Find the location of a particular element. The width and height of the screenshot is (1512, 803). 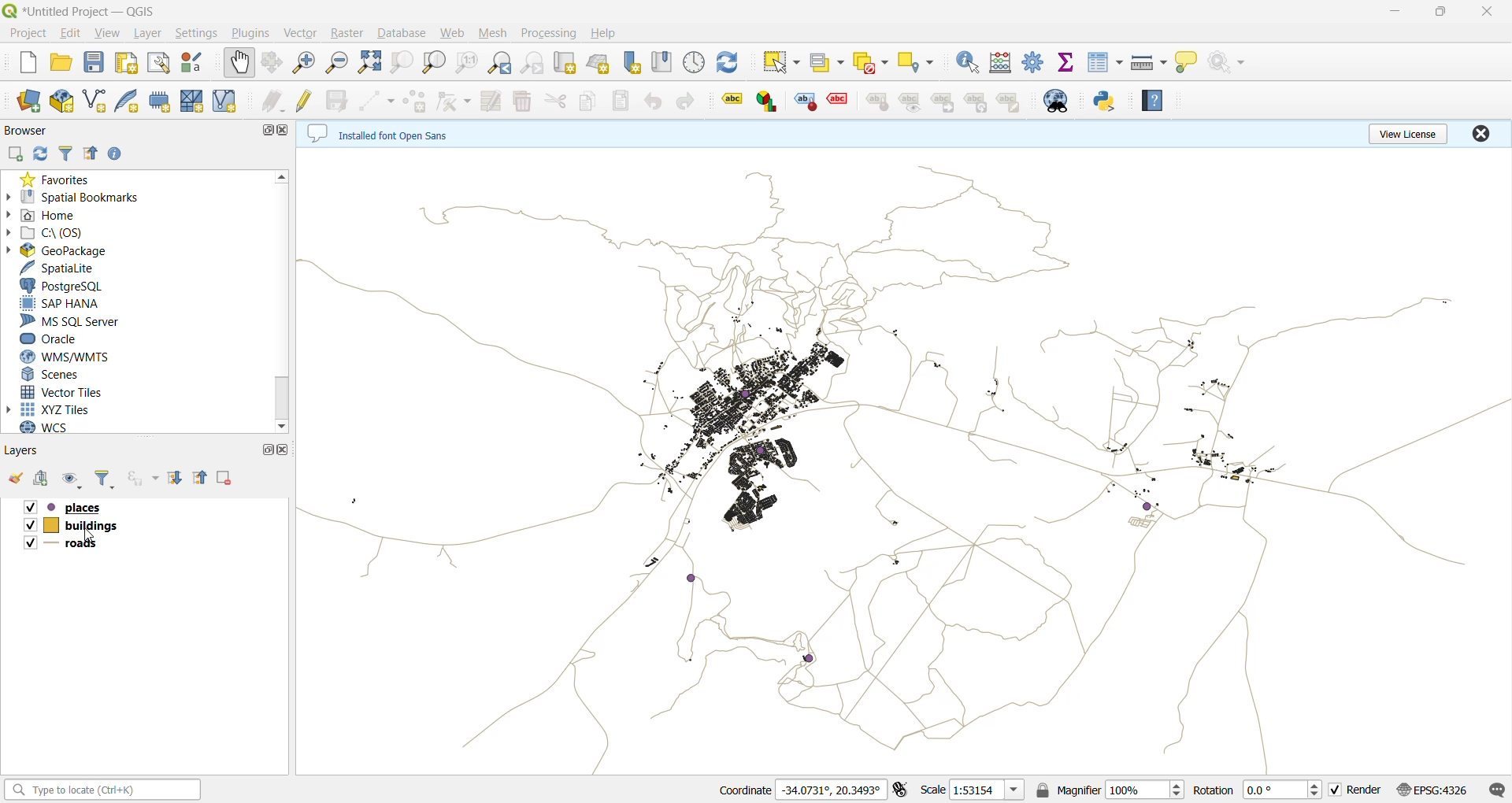

help is located at coordinates (1154, 101).